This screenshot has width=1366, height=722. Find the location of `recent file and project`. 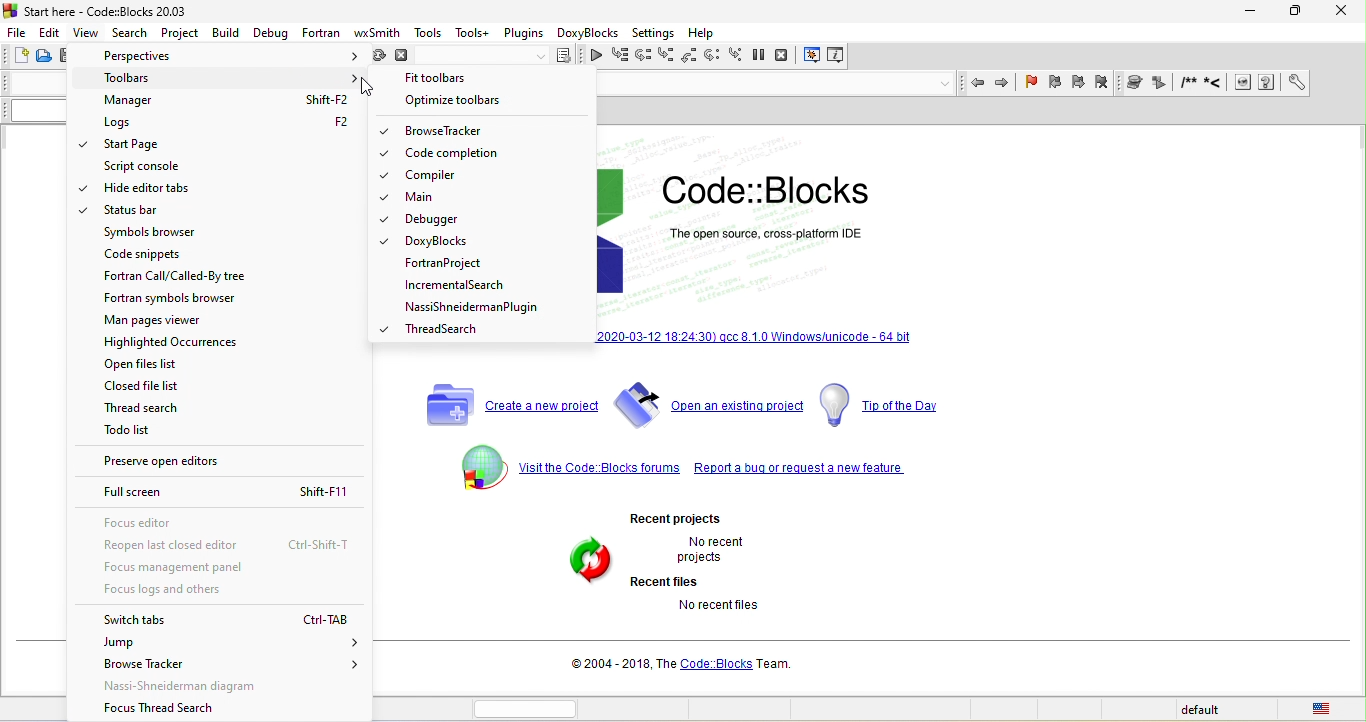

recent file and project is located at coordinates (584, 562).